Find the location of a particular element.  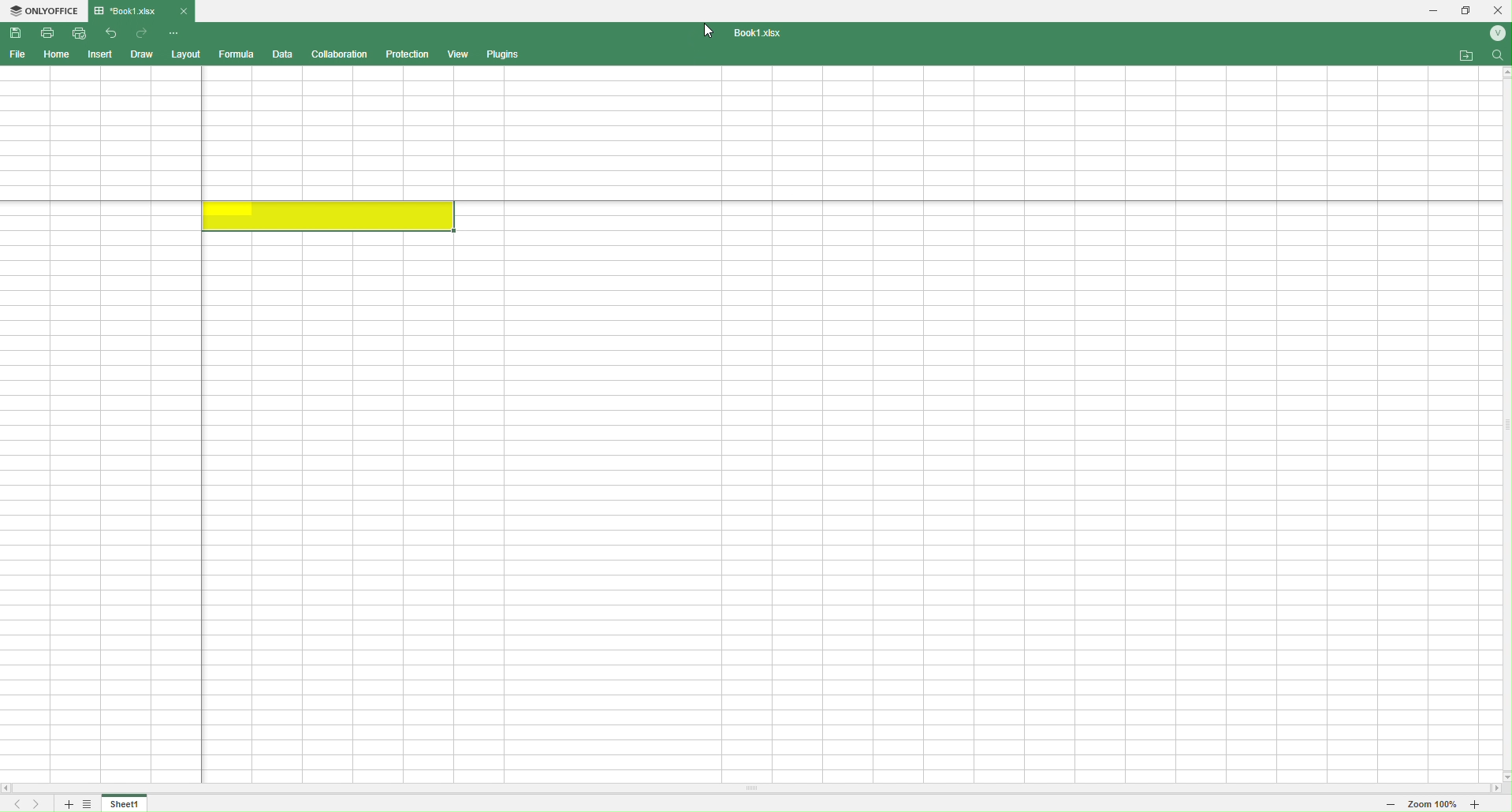

Formula is located at coordinates (237, 54).